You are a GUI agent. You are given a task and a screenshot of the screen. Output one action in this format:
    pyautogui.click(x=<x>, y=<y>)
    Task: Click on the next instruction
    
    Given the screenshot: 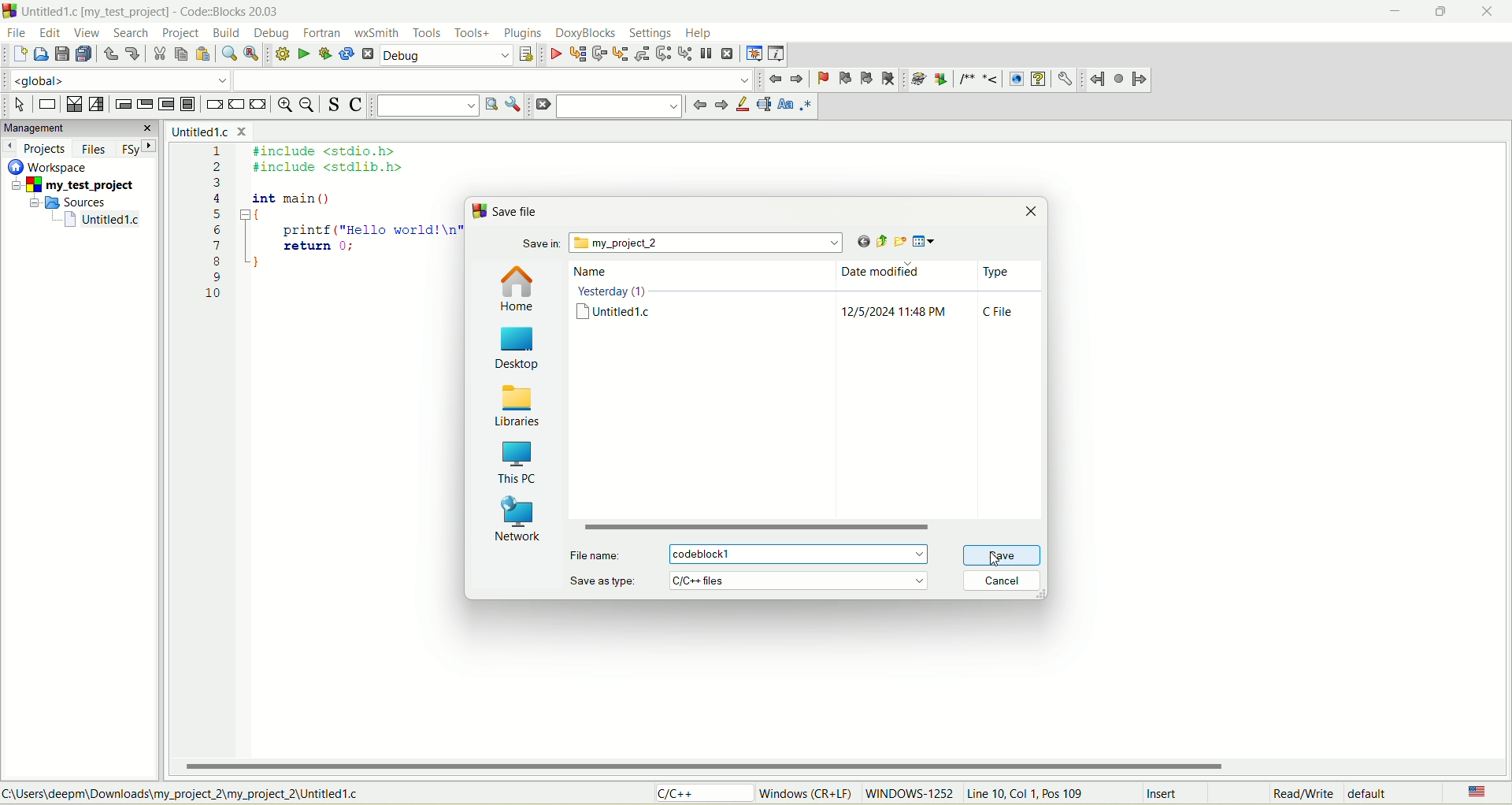 What is the action you would take?
    pyautogui.click(x=662, y=53)
    